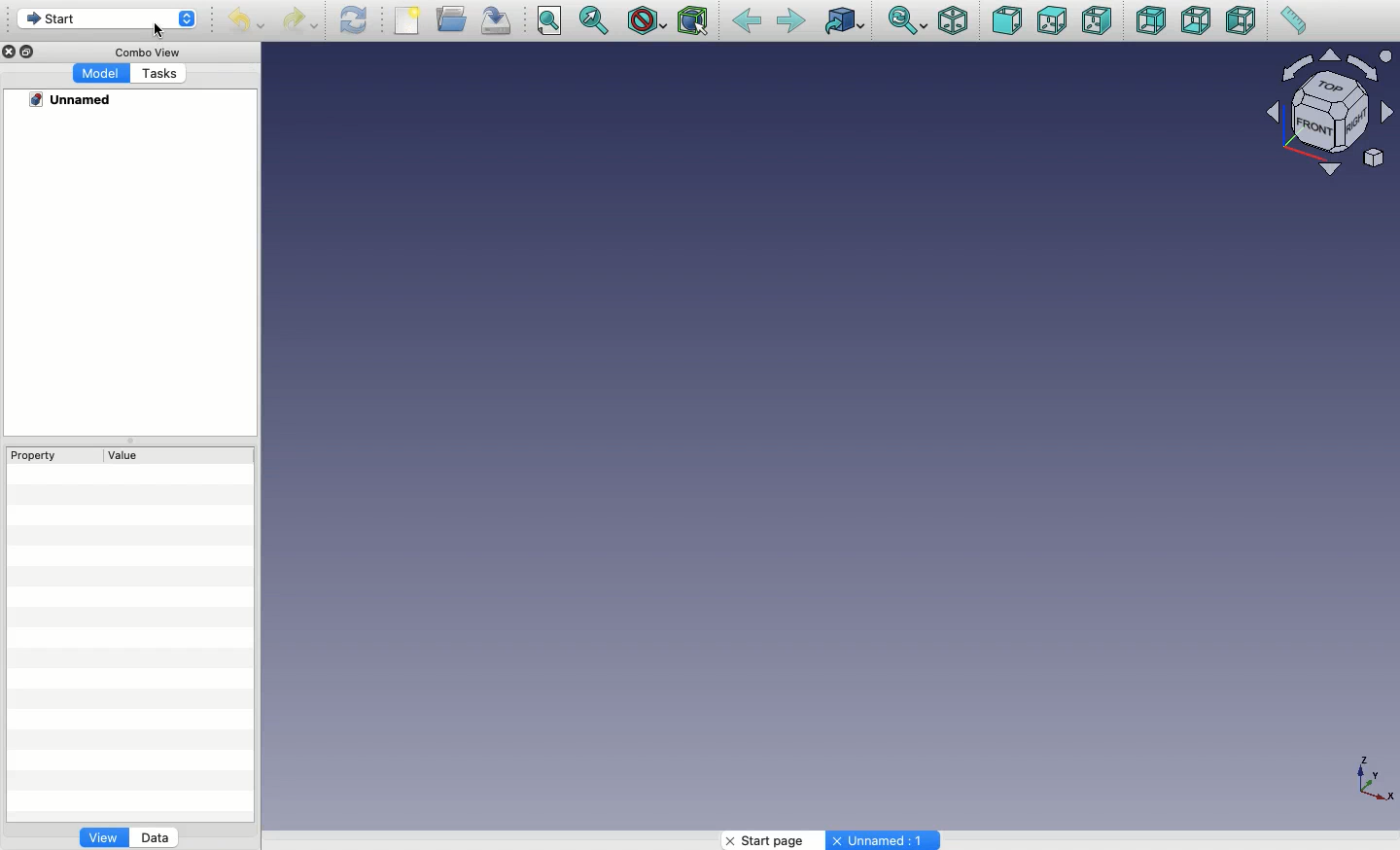 Image resolution: width=1400 pixels, height=850 pixels. Describe the element at coordinates (244, 21) in the screenshot. I see `Undo` at that location.